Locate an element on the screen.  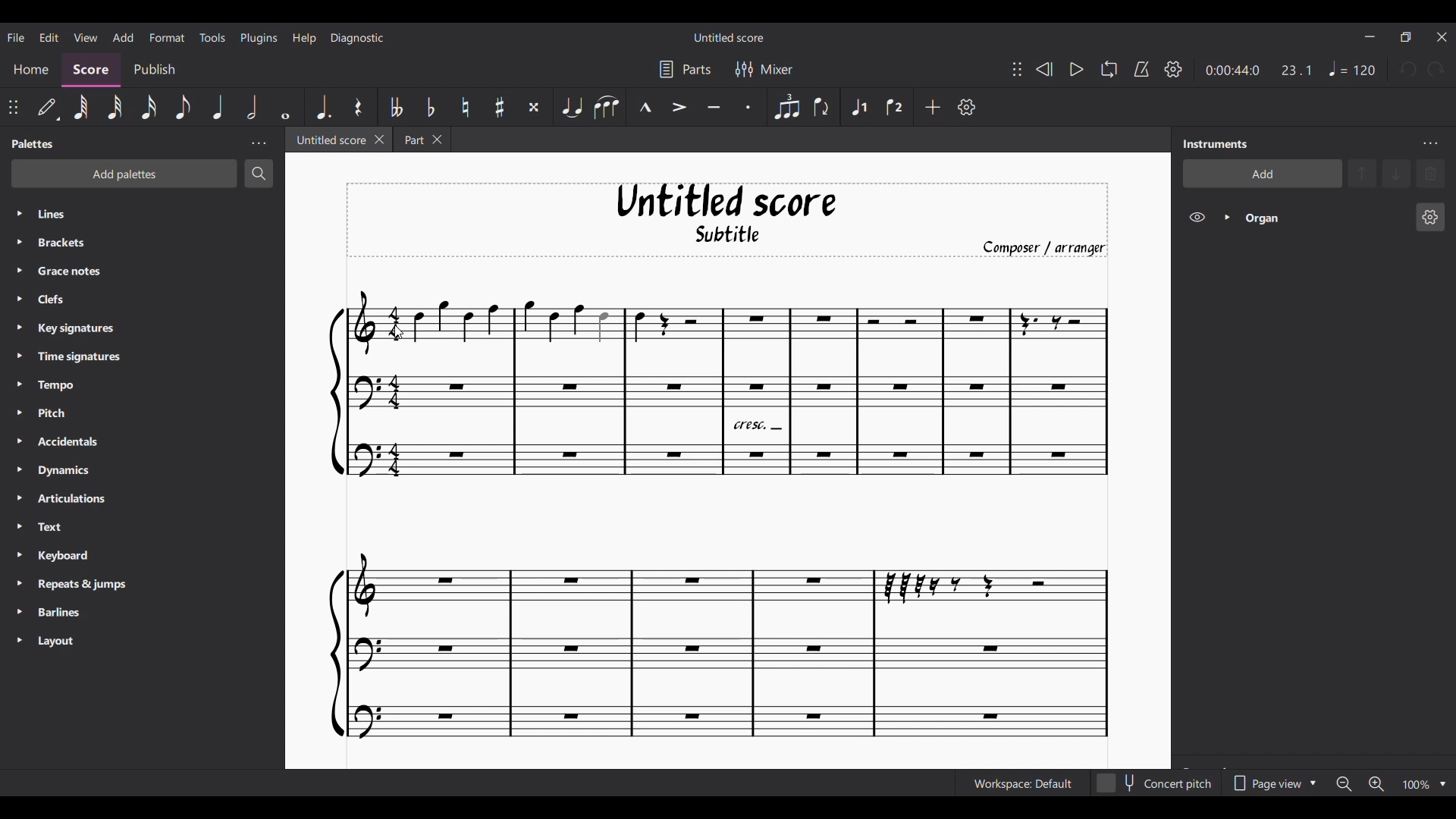
Delete is located at coordinates (1430, 174).